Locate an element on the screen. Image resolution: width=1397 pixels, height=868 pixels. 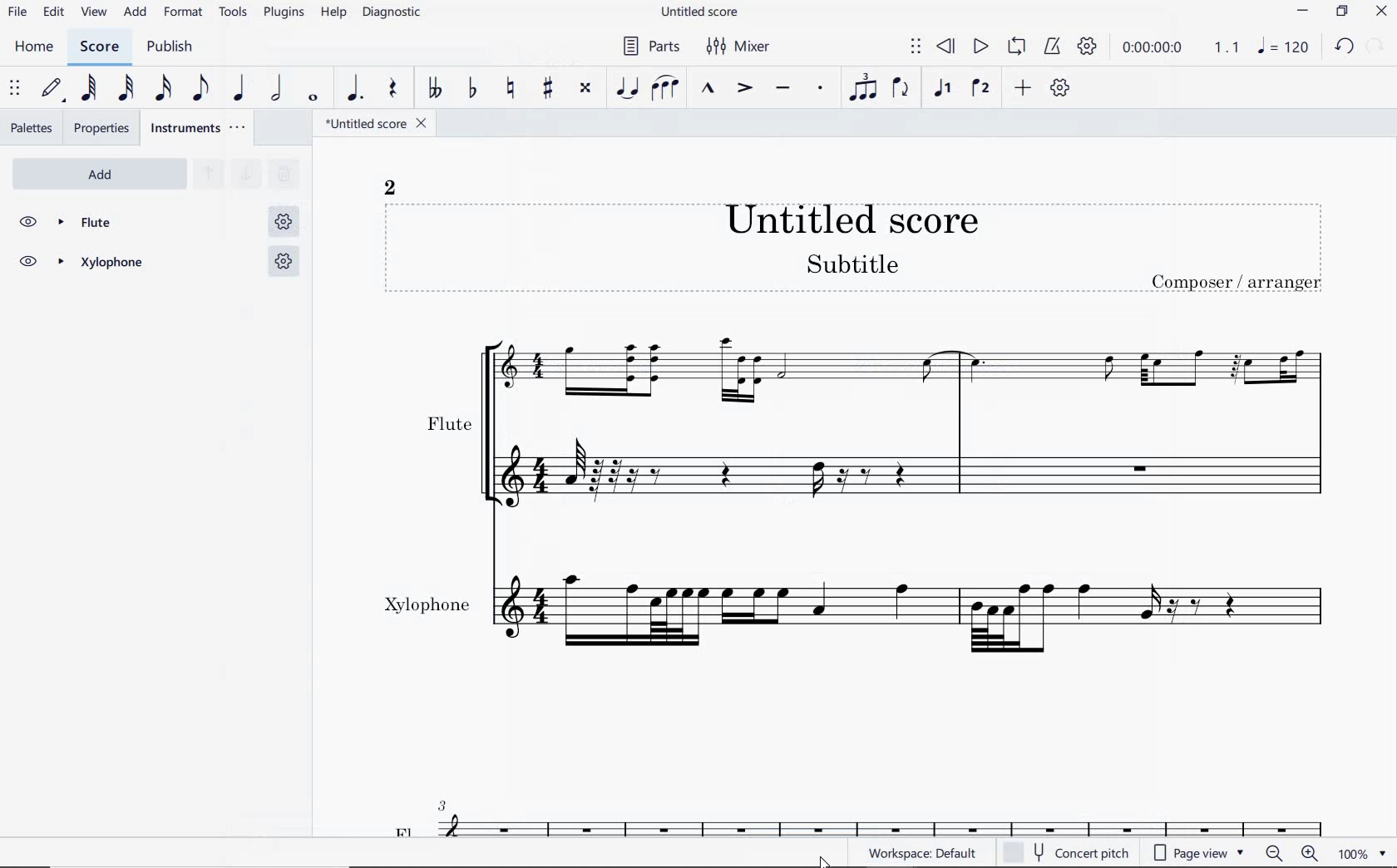
PROPERTIES is located at coordinates (103, 128).